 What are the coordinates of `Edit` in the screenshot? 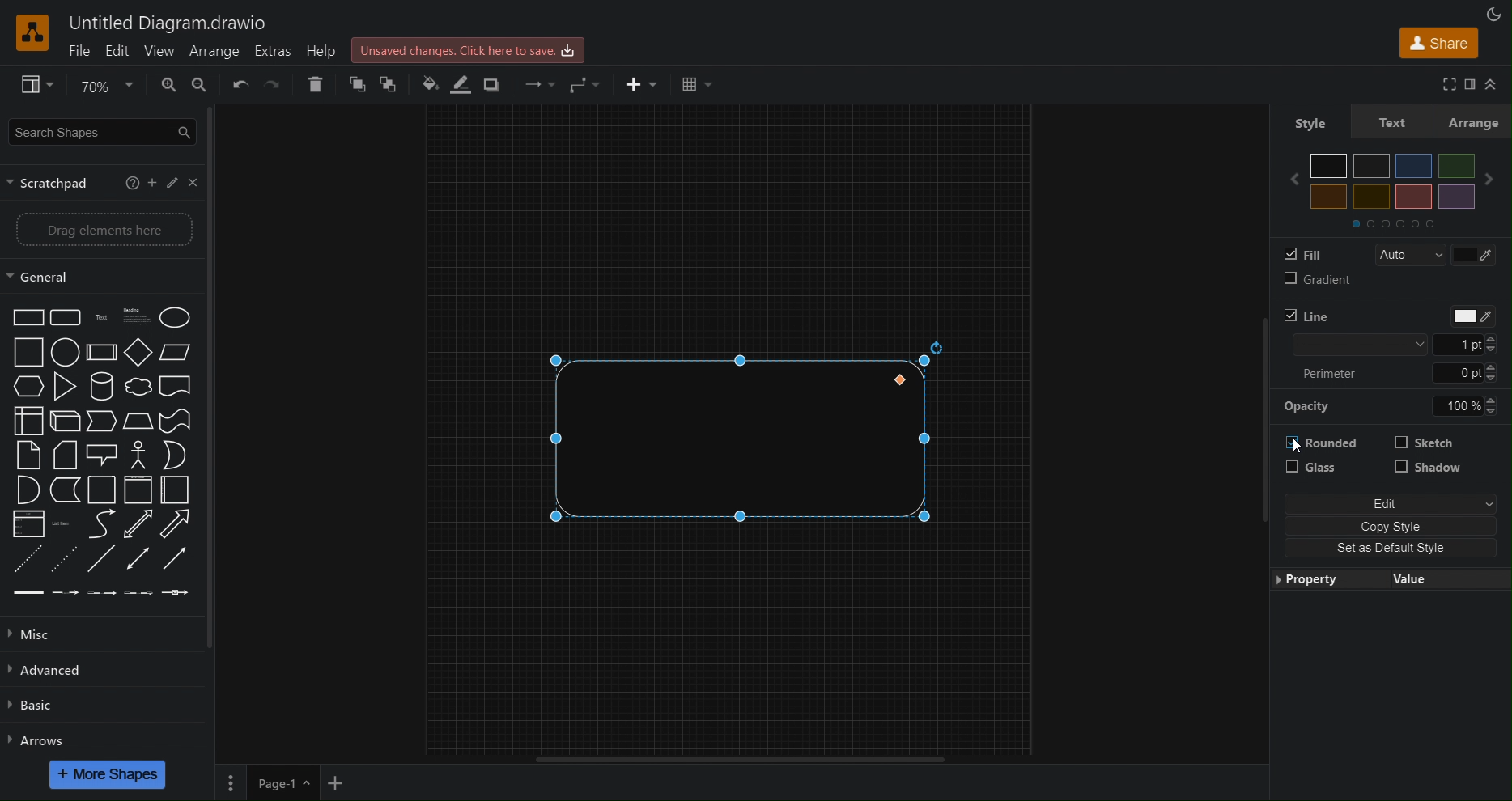 It's located at (117, 51).